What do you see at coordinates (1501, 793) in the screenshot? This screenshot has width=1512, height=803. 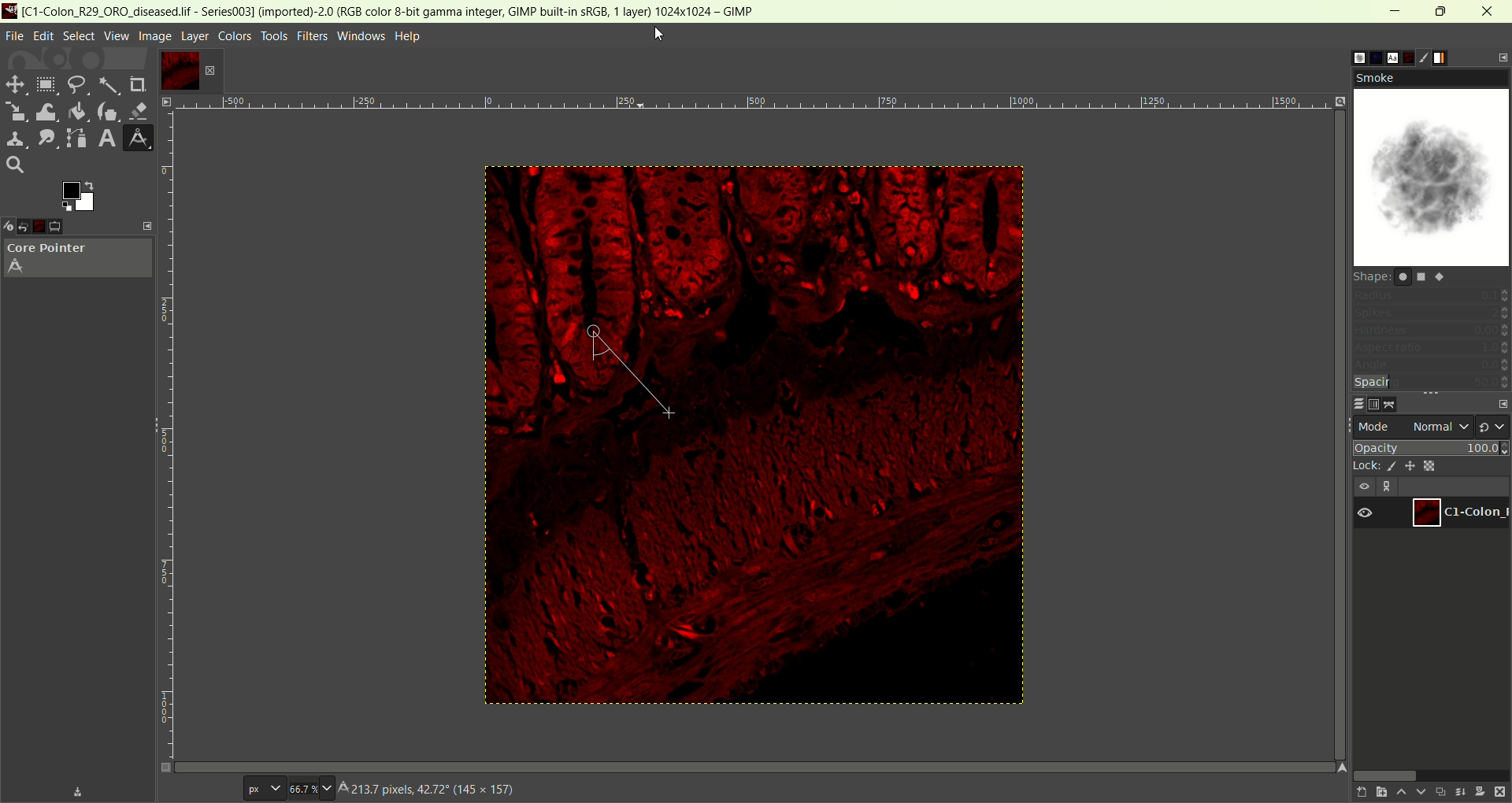 I see `delete layer` at bounding box center [1501, 793].